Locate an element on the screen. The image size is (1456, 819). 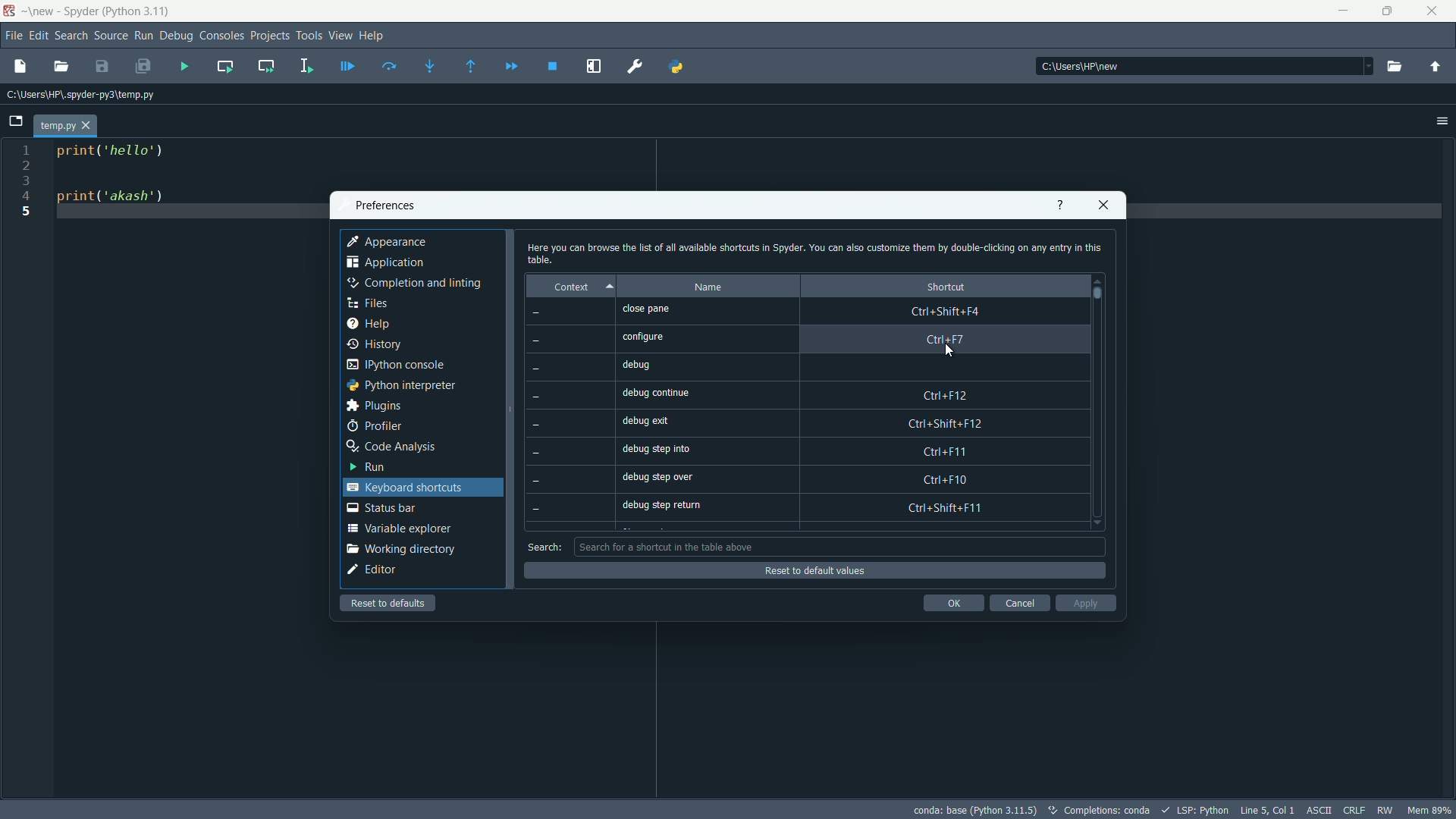
search menu is located at coordinates (72, 36).